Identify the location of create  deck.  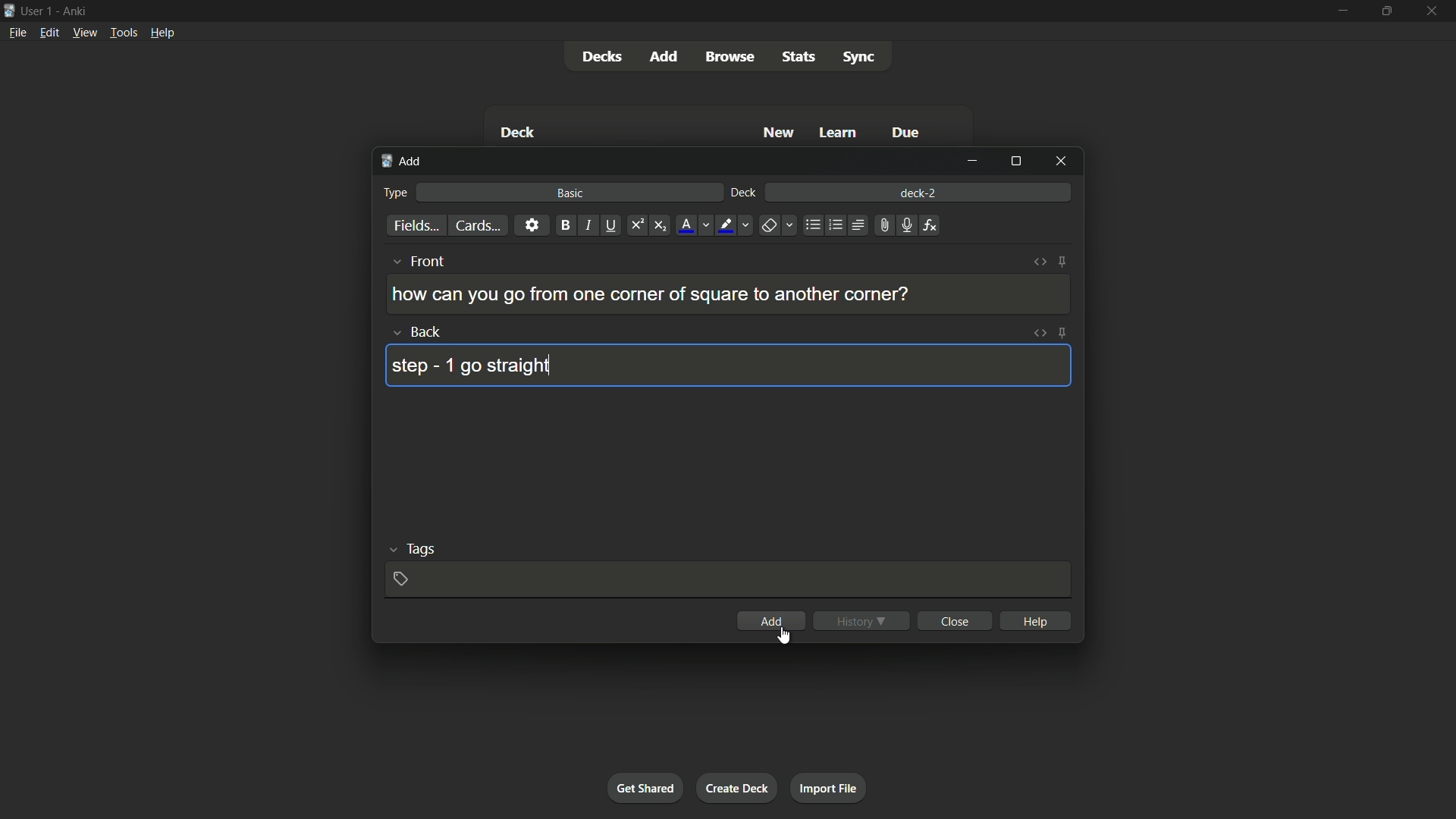
(738, 788).